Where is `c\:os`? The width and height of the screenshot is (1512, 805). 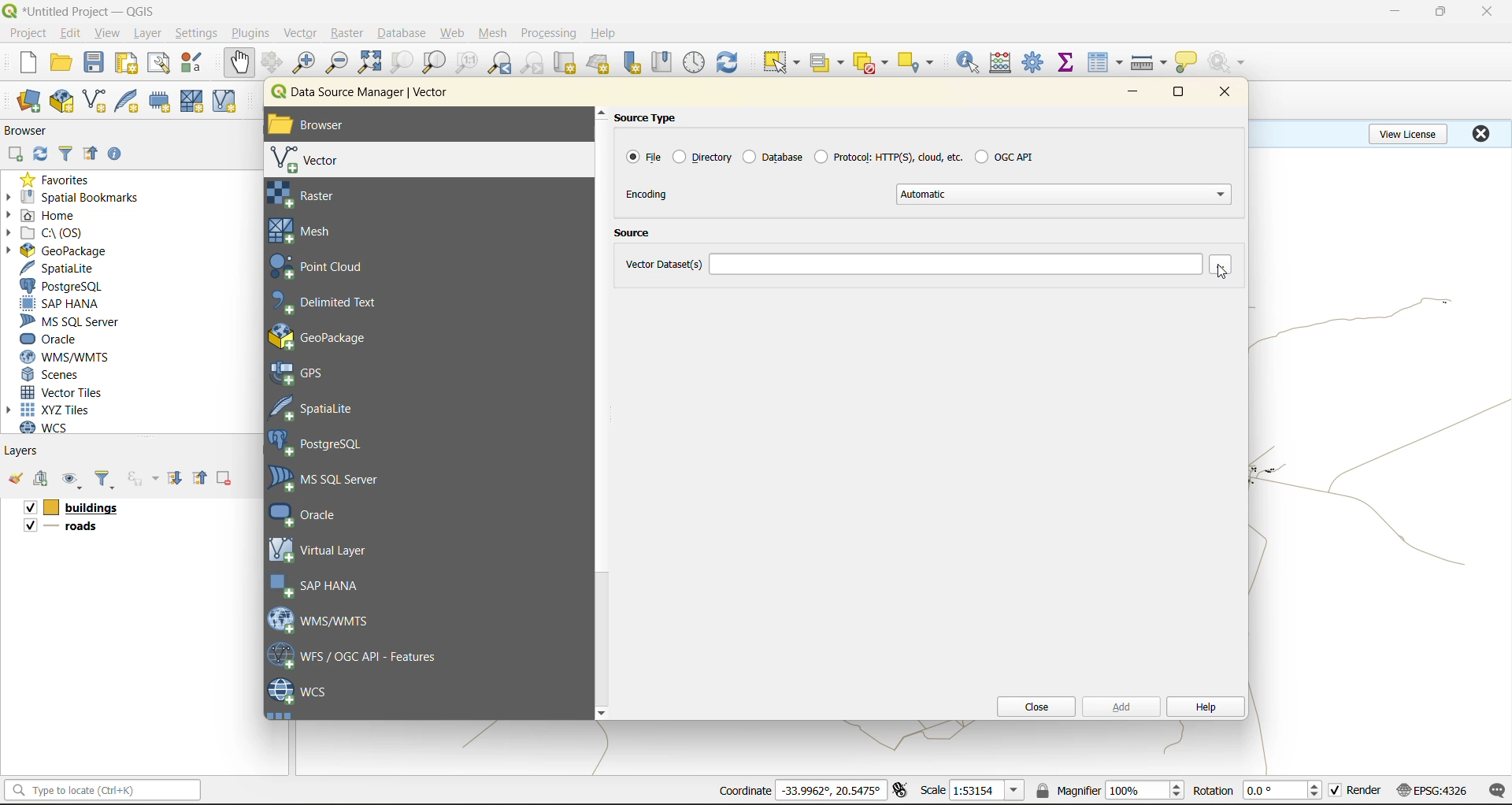 c\:os is located at coordinates (51, 233).